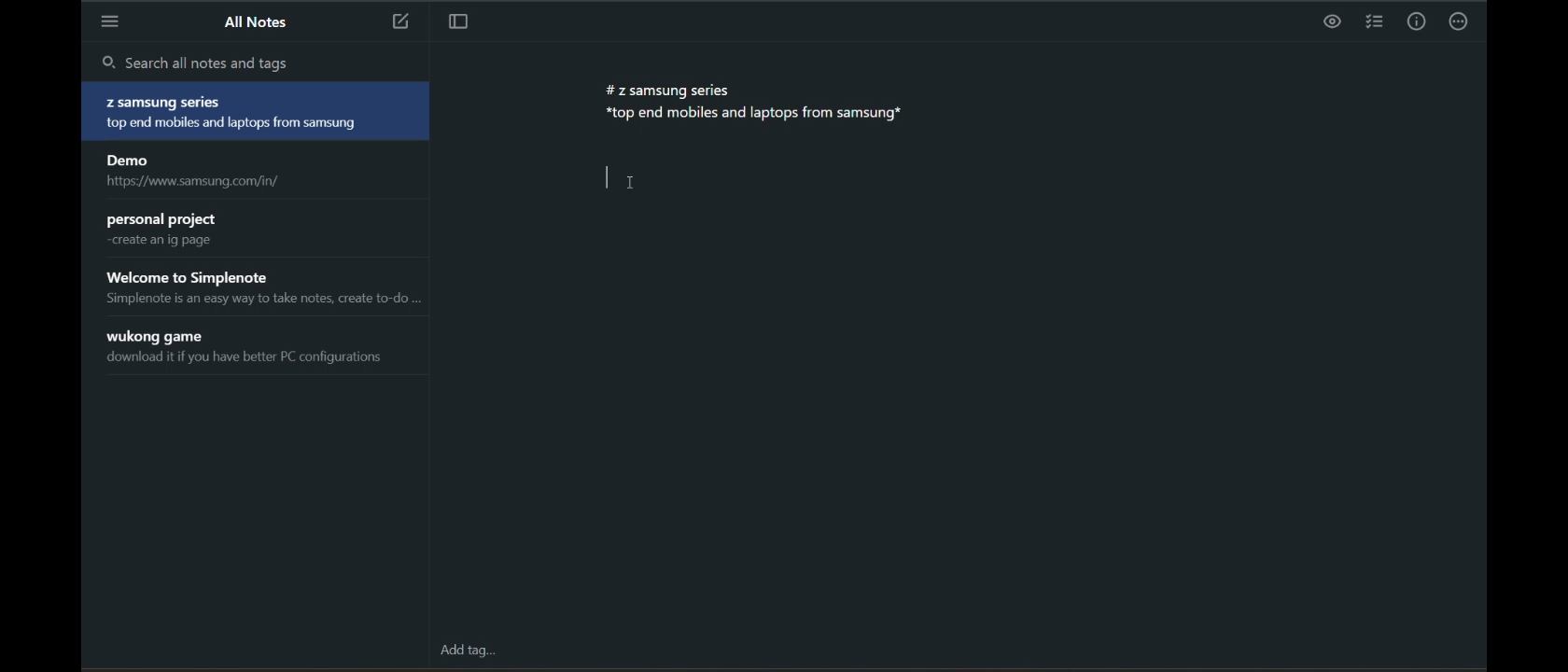  What do you see at coordinates (475, 650) in the screenshot?
I see `add tag` at bounding box center [475, 650].